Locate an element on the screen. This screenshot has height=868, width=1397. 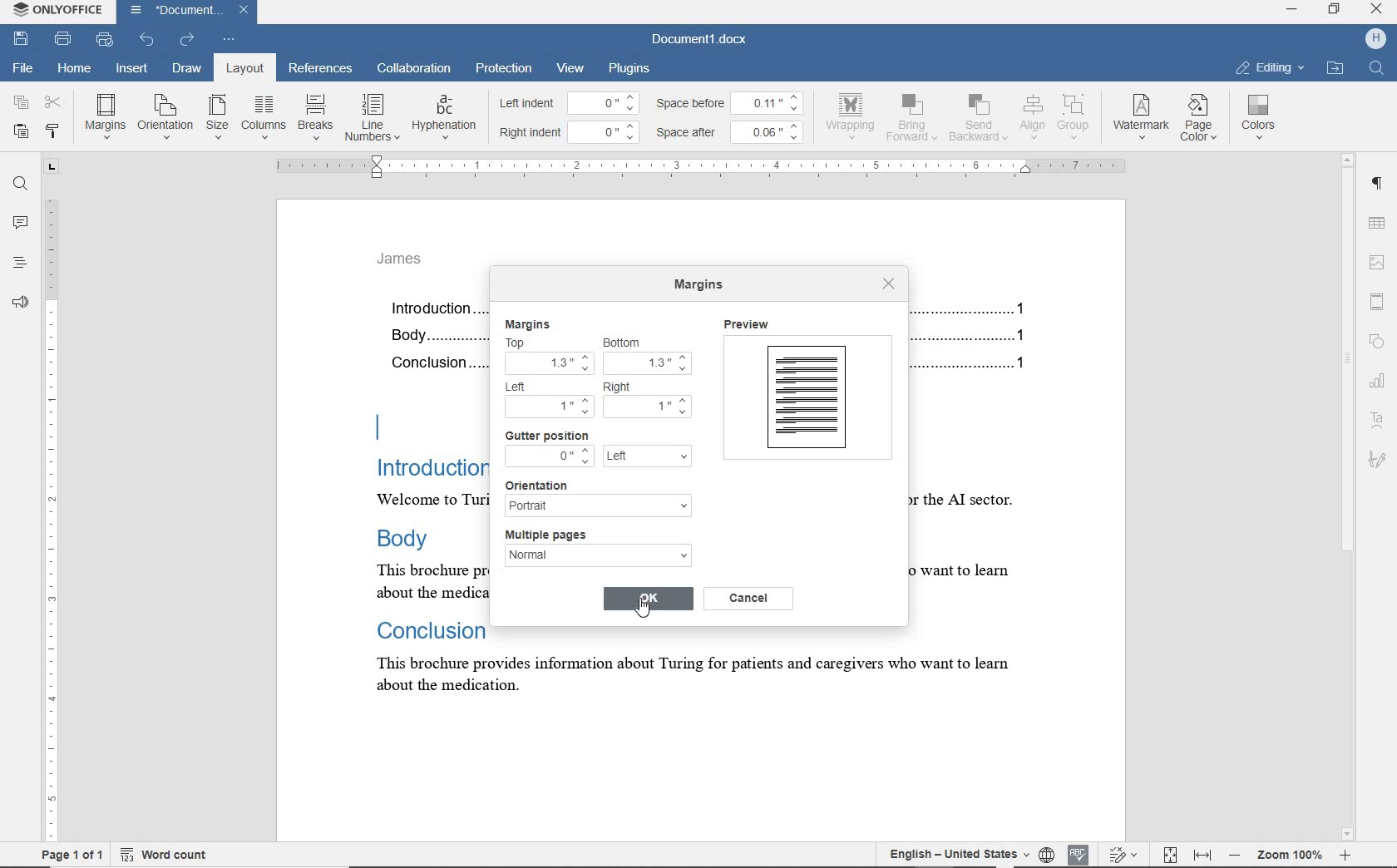
watermark is located at coordinates (1143, 118).